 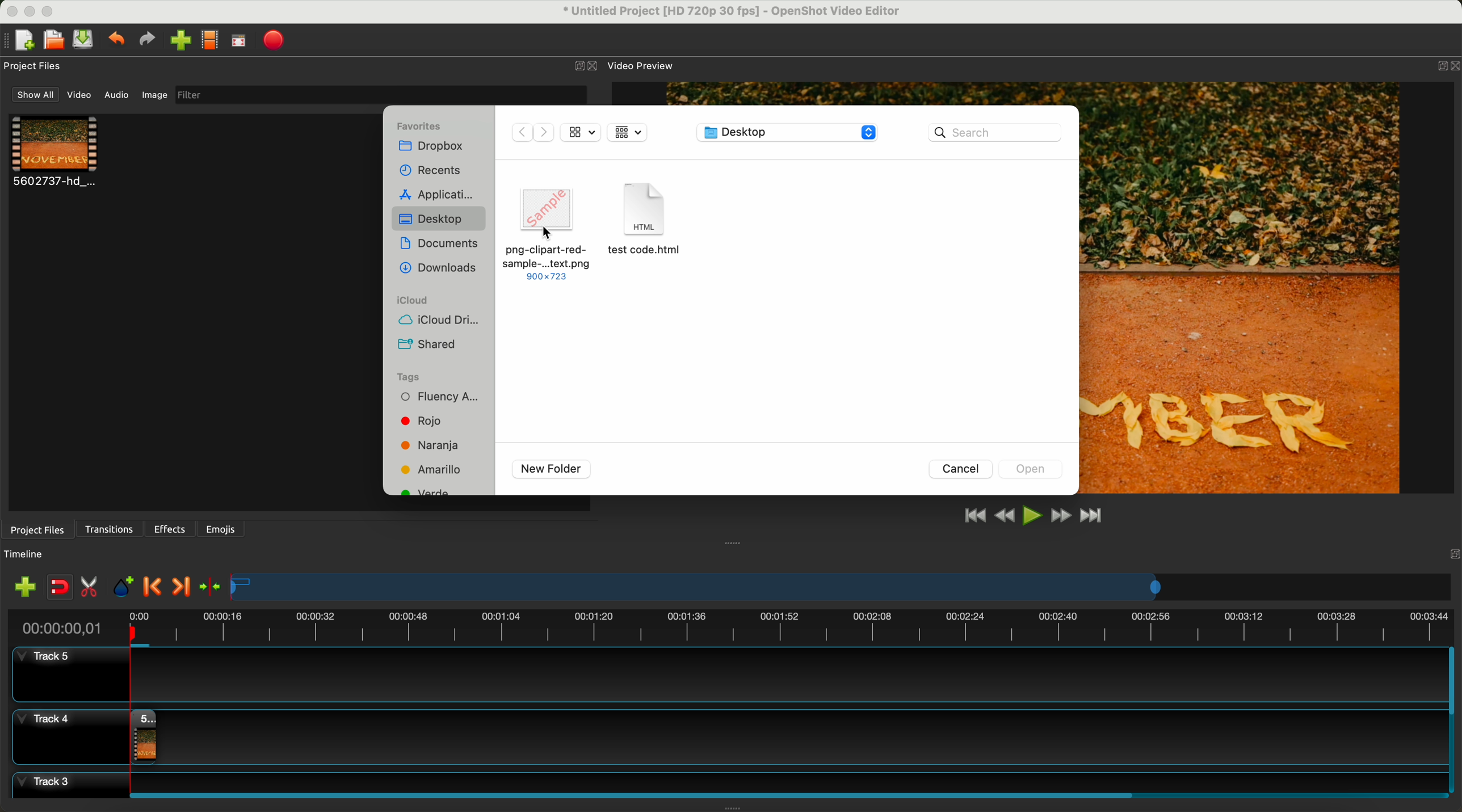 What do you see at coordinates (732, 808) in the screenshot?
I see `Window Expanding` at bounding box center [732, 808].